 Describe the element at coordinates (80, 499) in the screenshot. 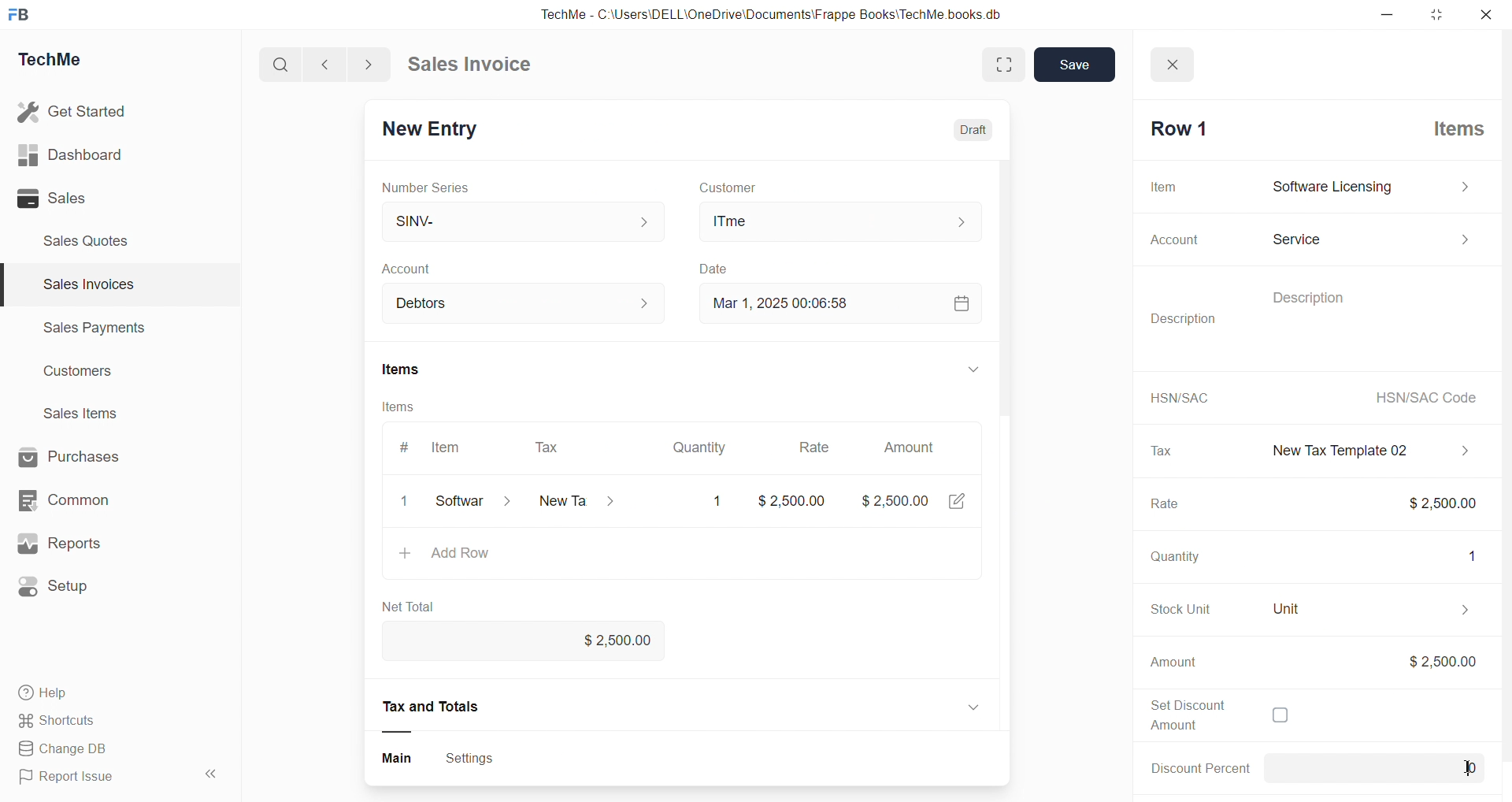

I see `EB Common` at that location.